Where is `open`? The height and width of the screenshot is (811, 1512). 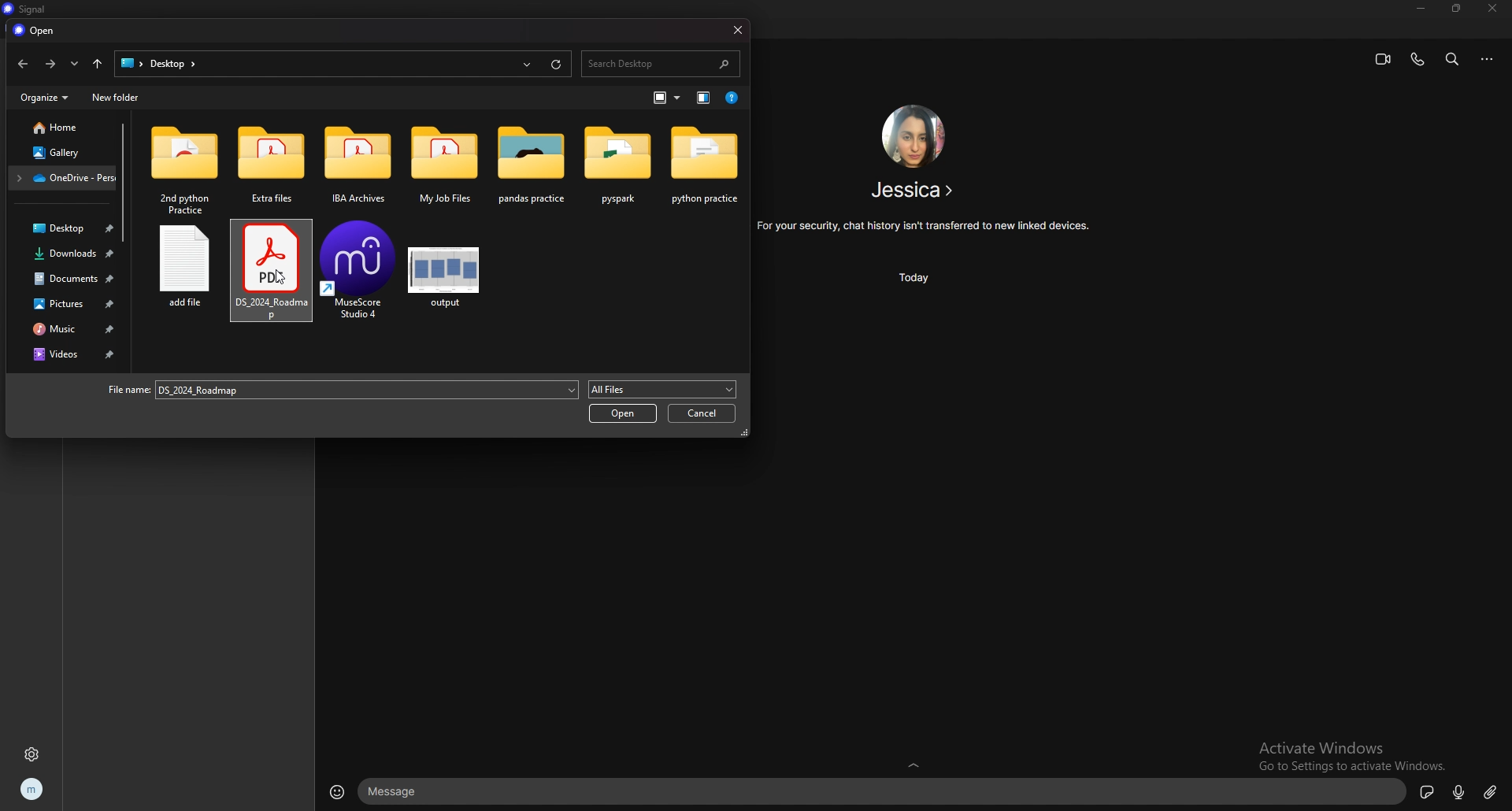
open is located at coordinates (624, 412).